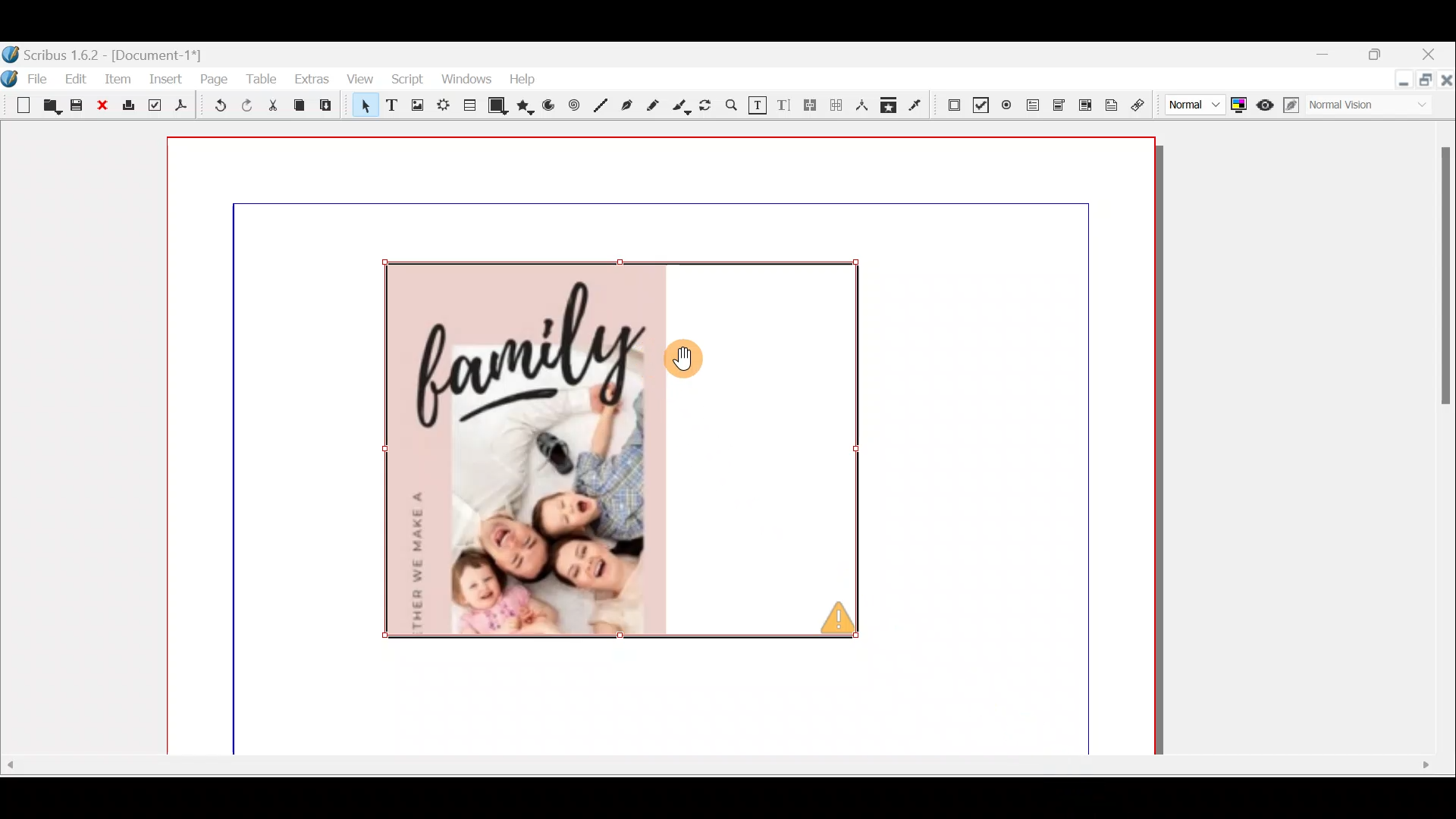 Image resolution: width=1456 pixels, height=819 pixels. I want to click on View, so click(362, 80).